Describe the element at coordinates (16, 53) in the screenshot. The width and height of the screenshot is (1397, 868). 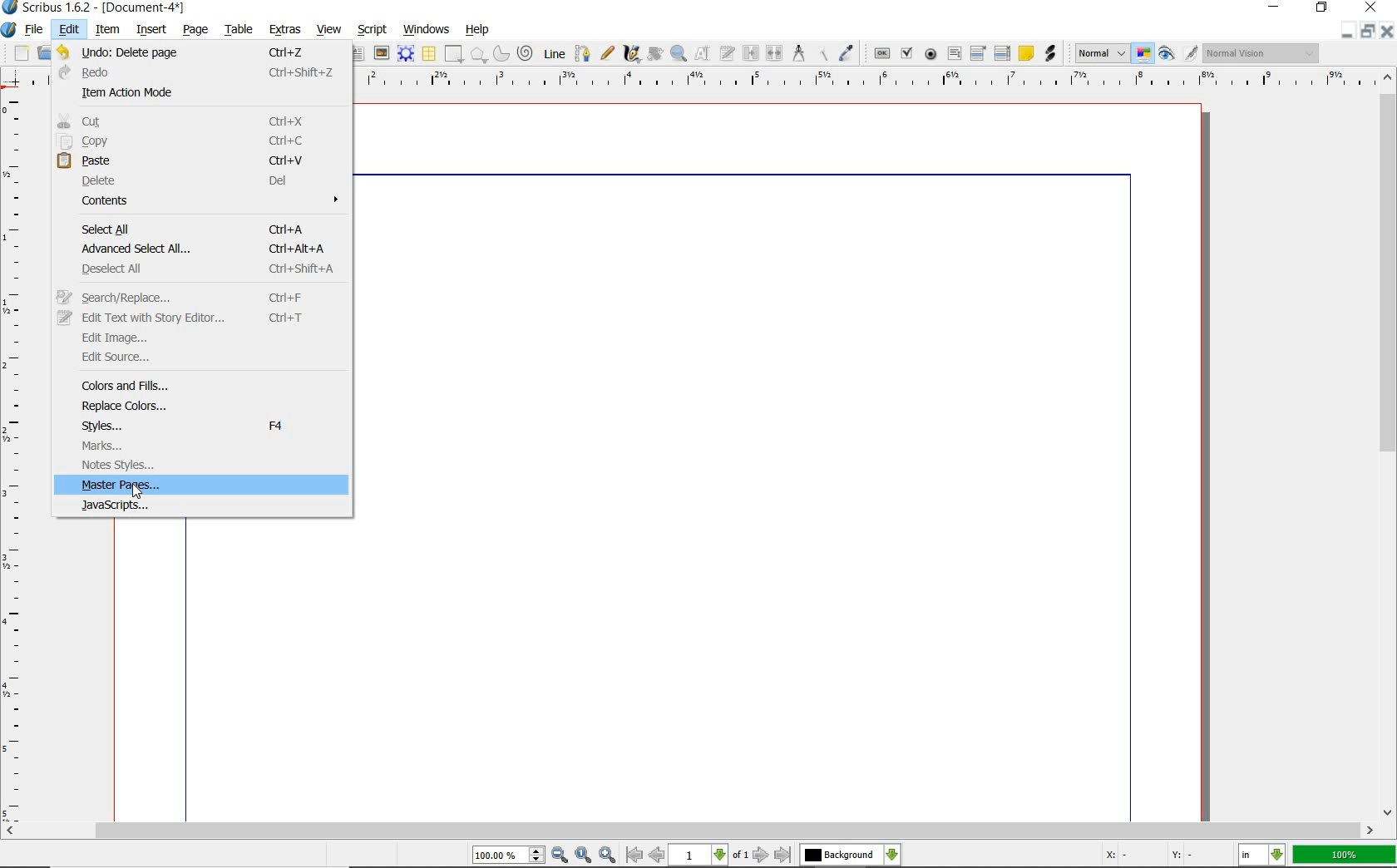
I see `new` at that location.